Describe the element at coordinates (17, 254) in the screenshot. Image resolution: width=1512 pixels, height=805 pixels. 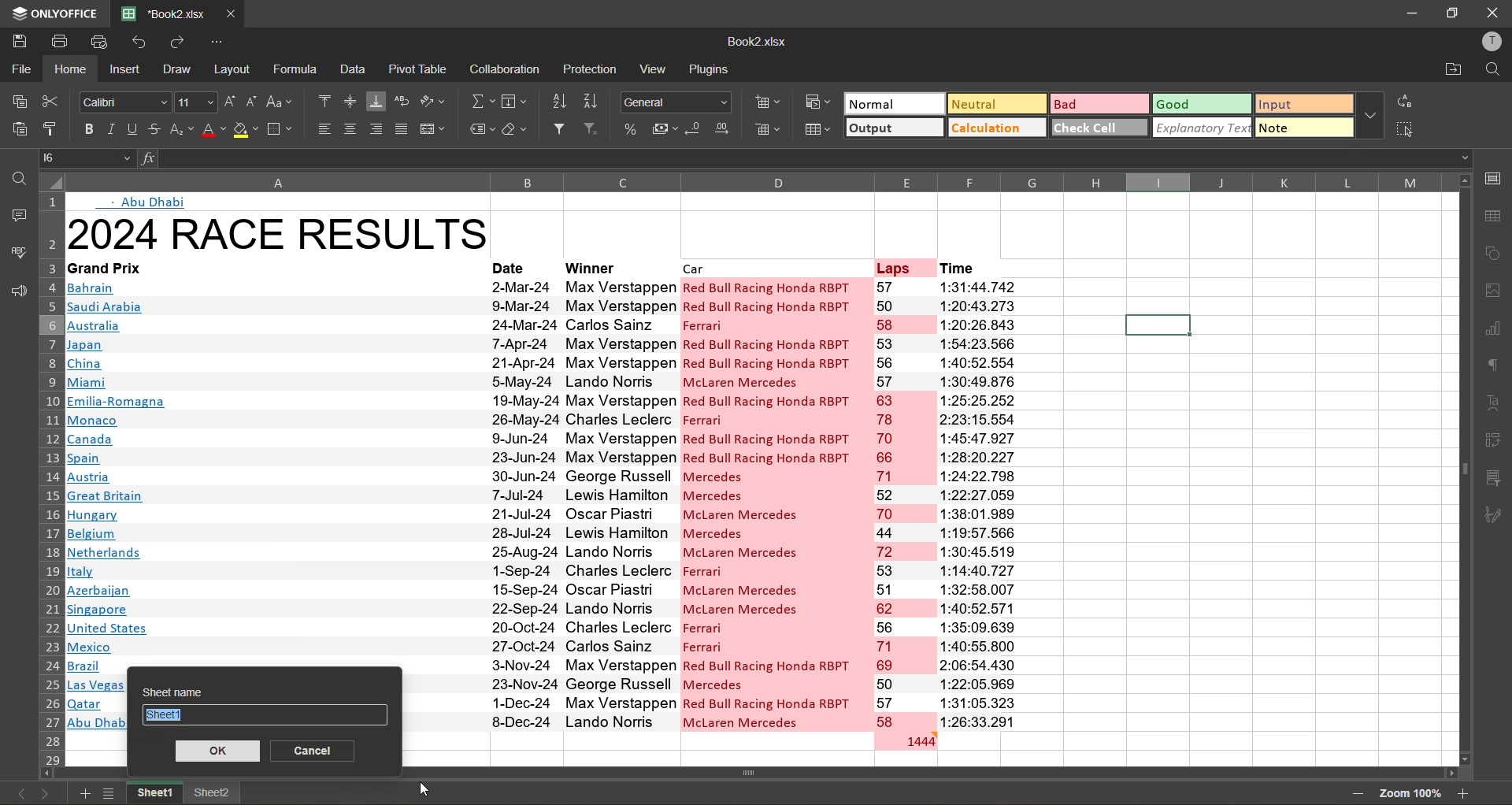
I see `spellcheck` at that location.